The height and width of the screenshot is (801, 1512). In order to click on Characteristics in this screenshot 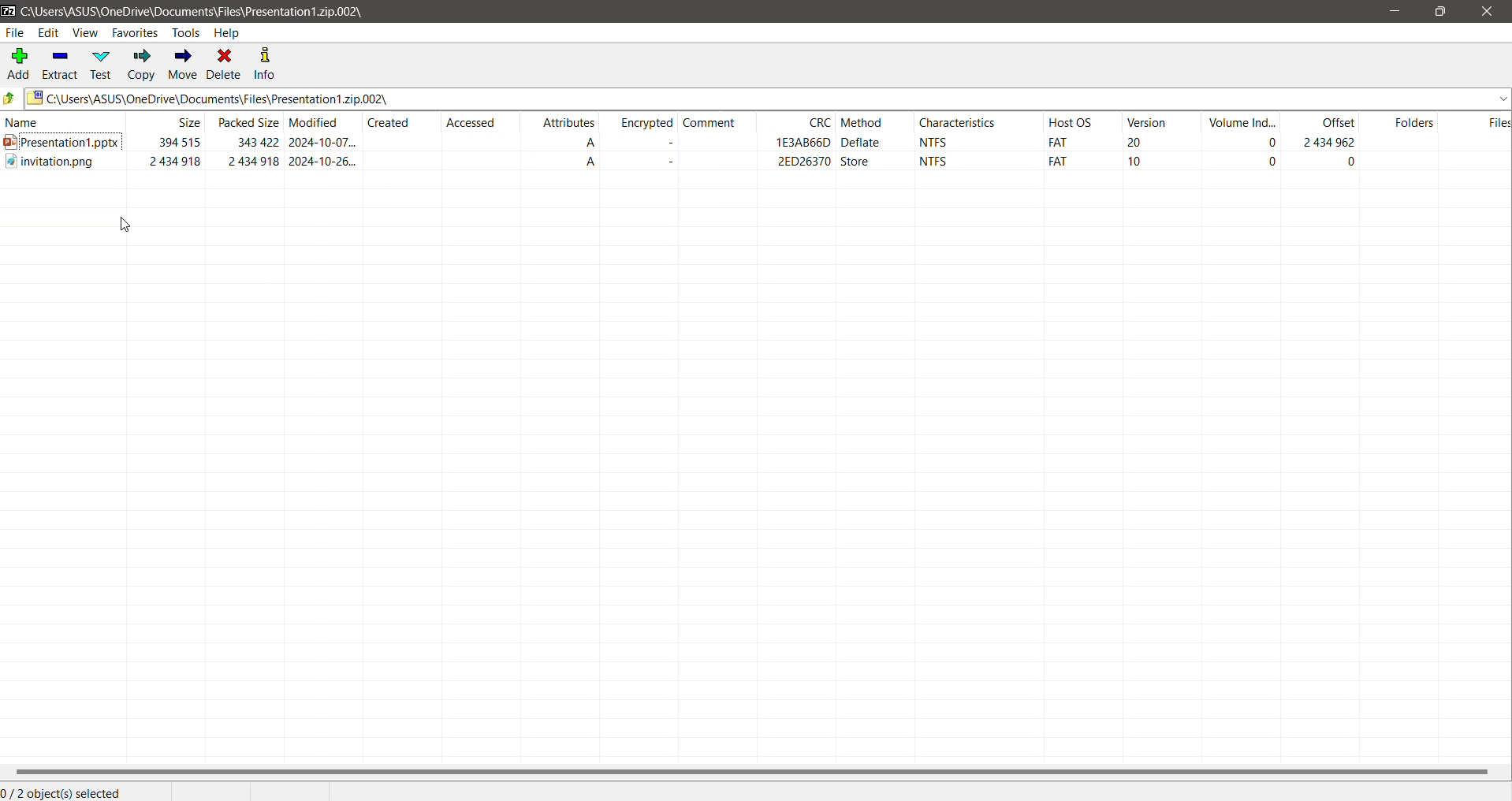, I will do `click(957, 121)`.